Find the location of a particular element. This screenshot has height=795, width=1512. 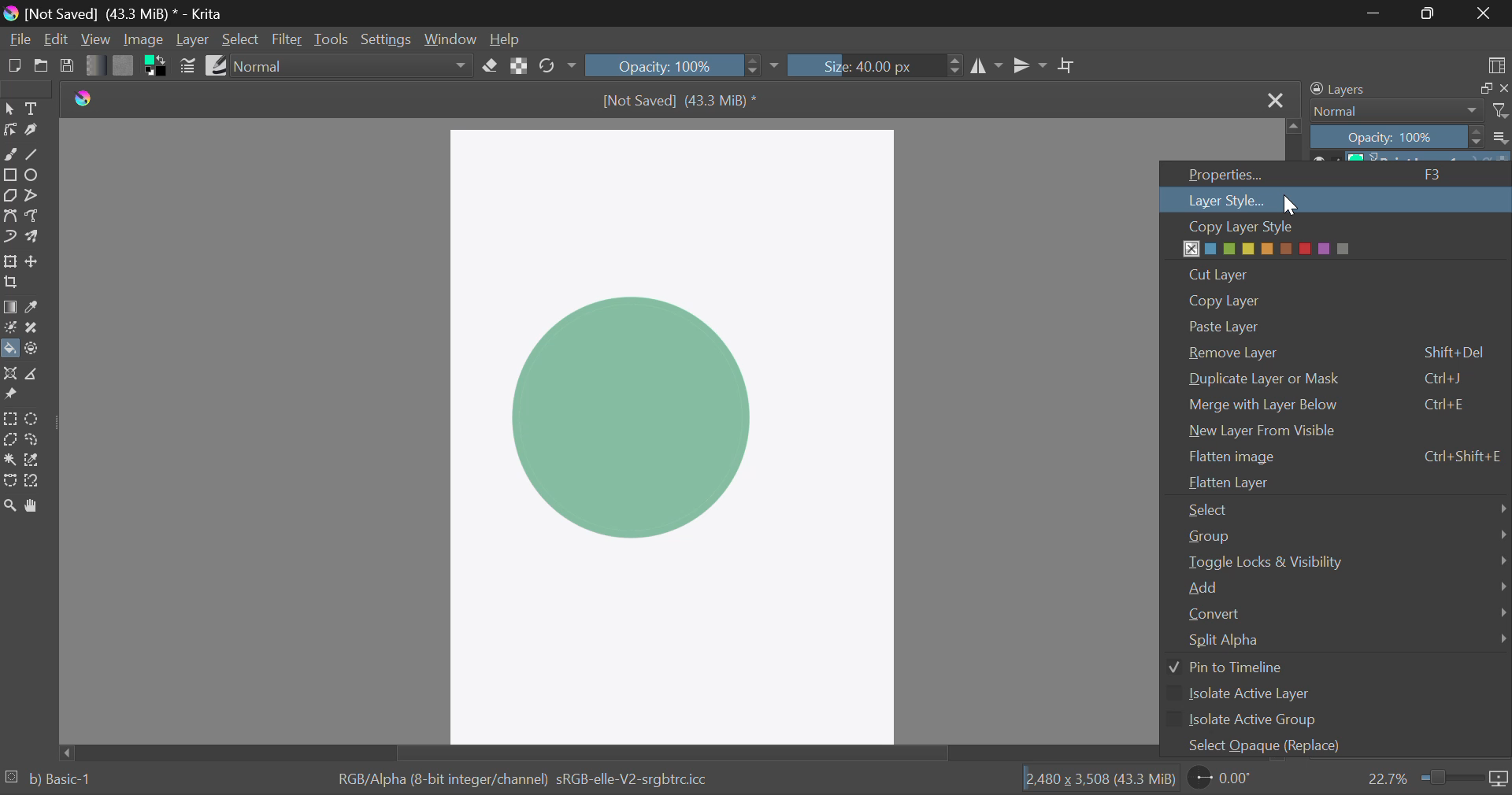

Freehand Path Tool is located at coordinates (33, 215).